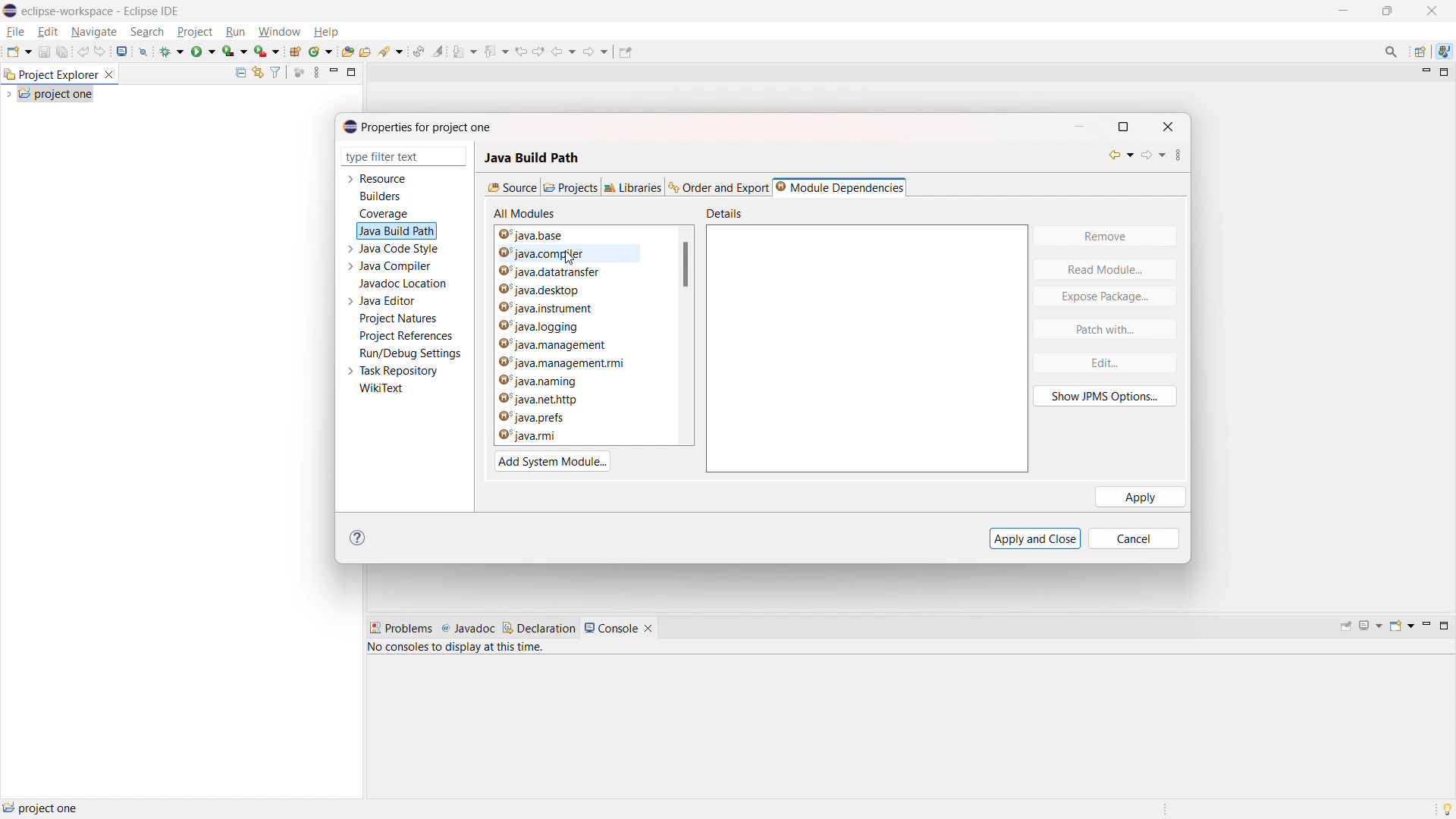  What do you see at coordinates (538, 49) in the screenshot?
I see `view next location` at bounding box center [538, 49].